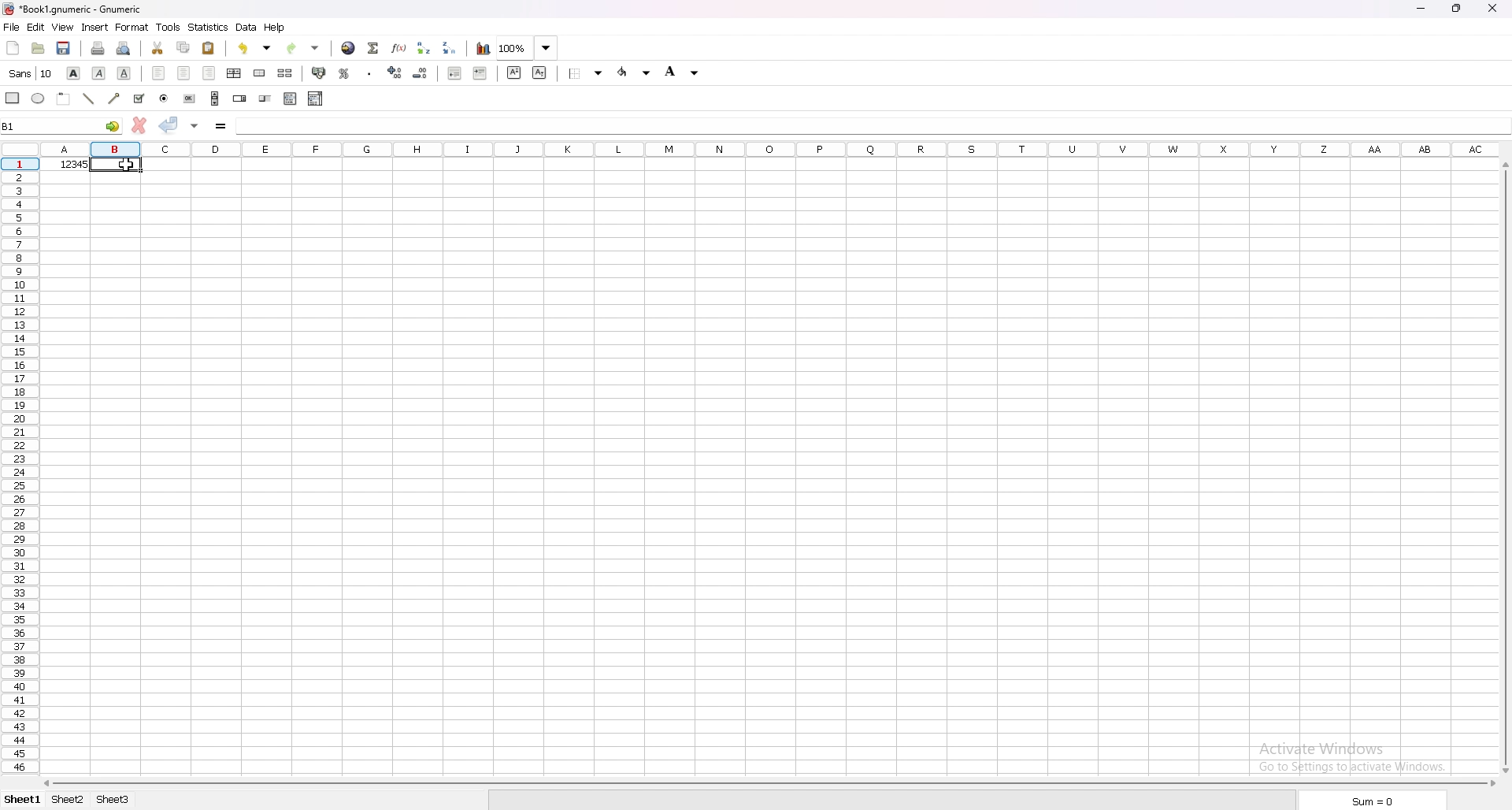  Describe the element at coordinates (480, 72) in the screenshot. I see `increase indent` at that location.